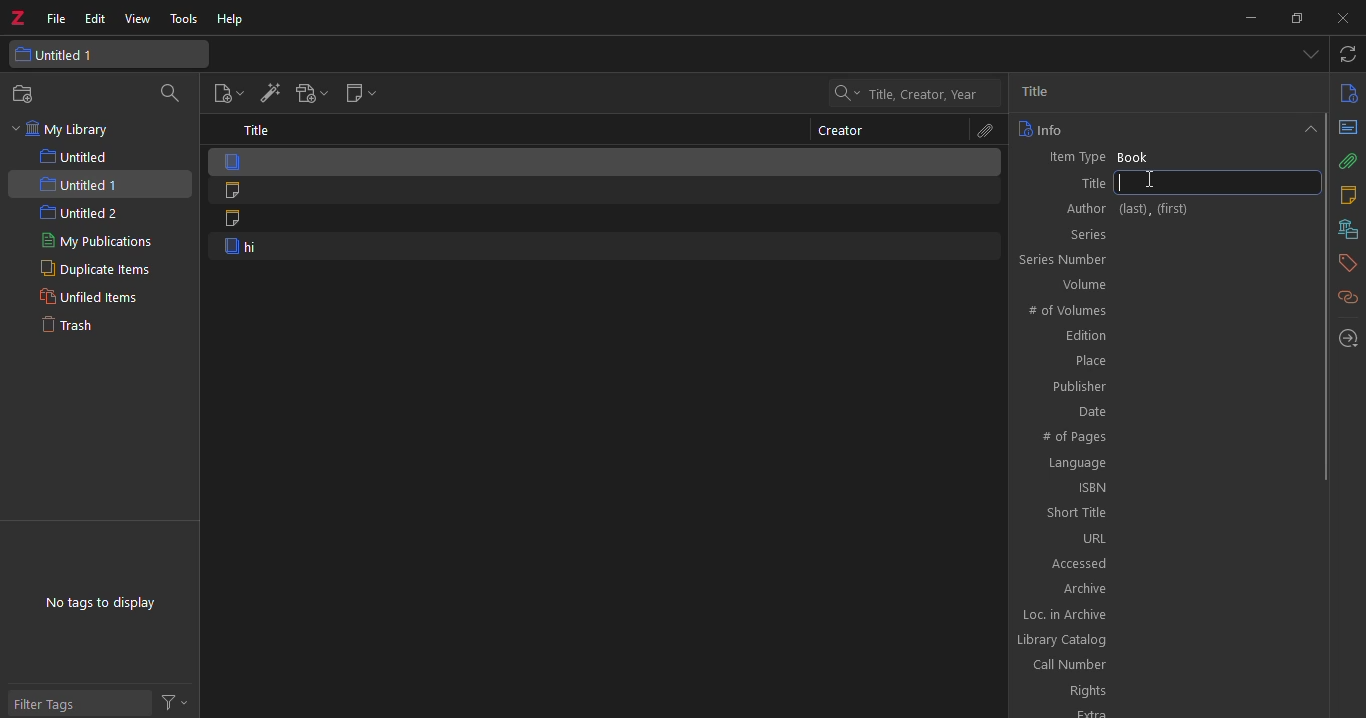 The width and height of the screenshot is (1366, 718). Describe the element at coordinates (96, 17) in the screenshot. I see `edit` at that location.